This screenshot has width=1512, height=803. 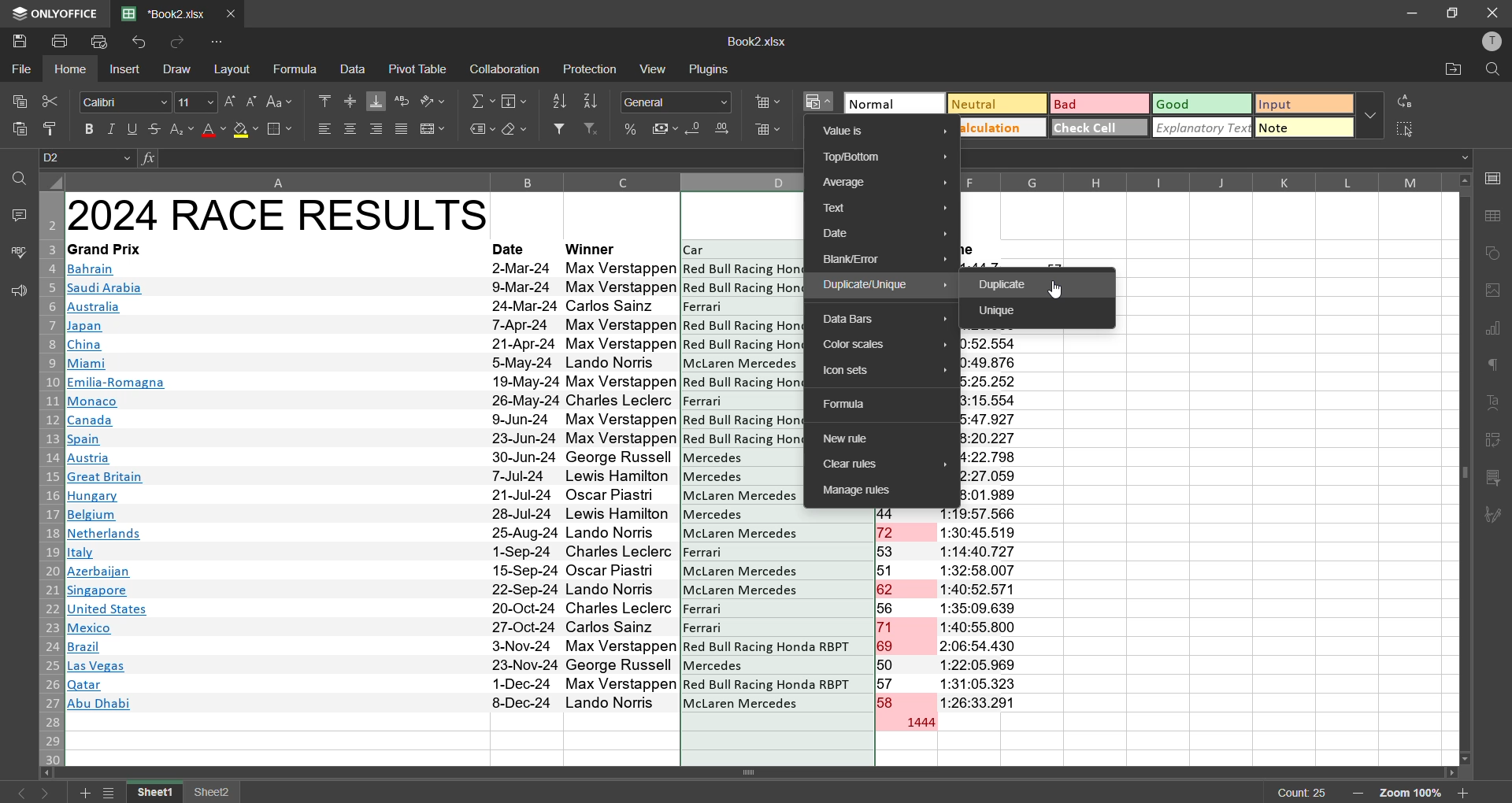 I want to click on check cell, so click(x=1096, y=126).